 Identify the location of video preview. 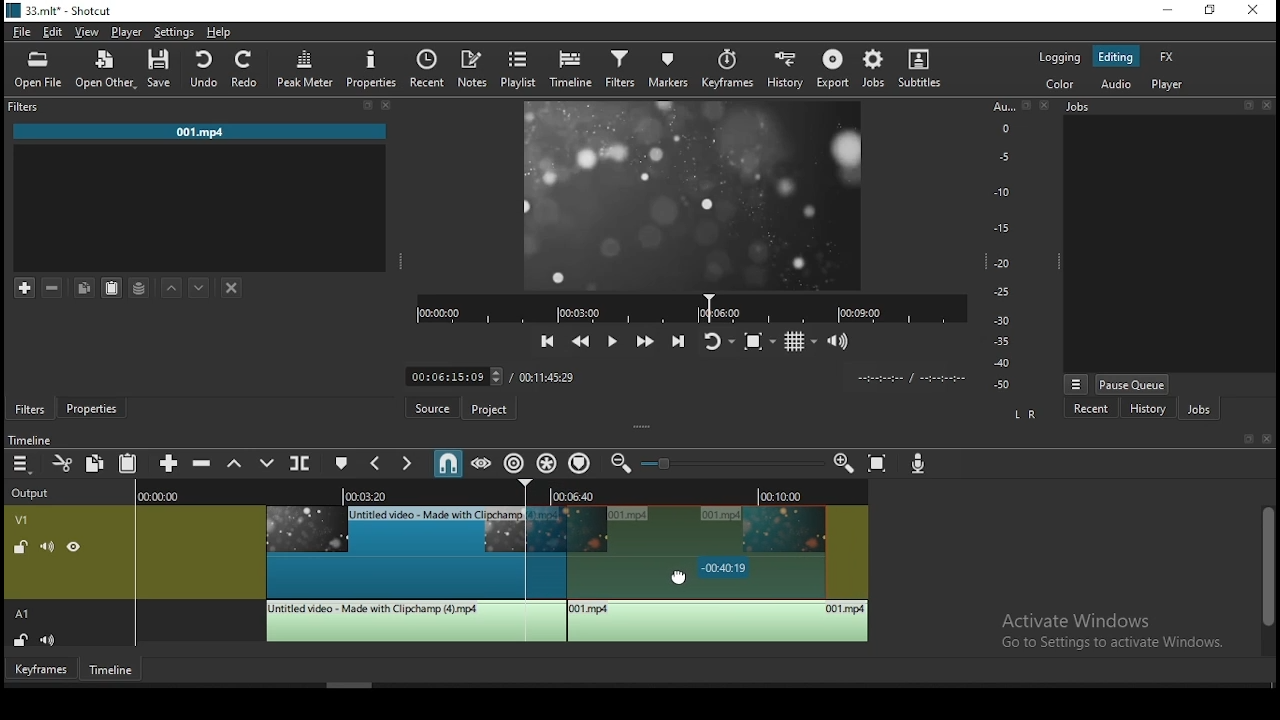
(695, 193).